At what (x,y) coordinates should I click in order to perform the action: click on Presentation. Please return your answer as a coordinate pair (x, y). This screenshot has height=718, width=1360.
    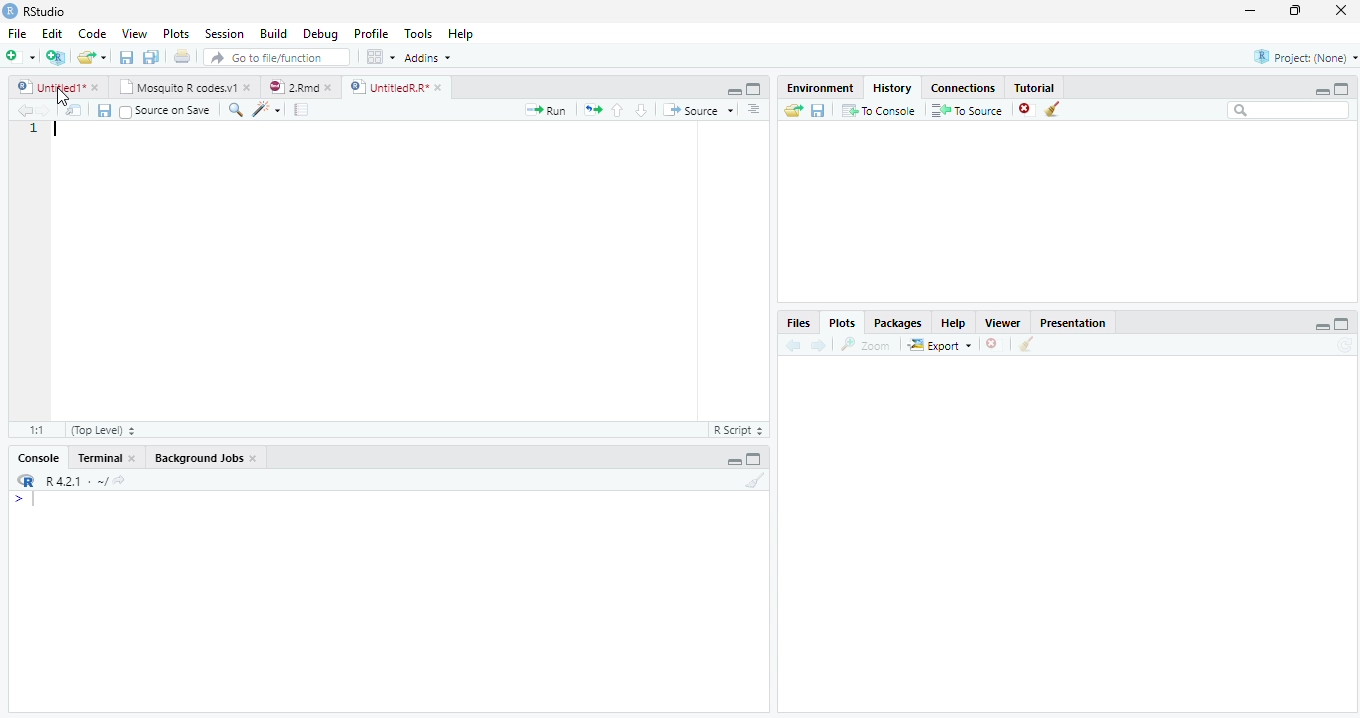
    Looking at the image, I should click on (1073, 322).